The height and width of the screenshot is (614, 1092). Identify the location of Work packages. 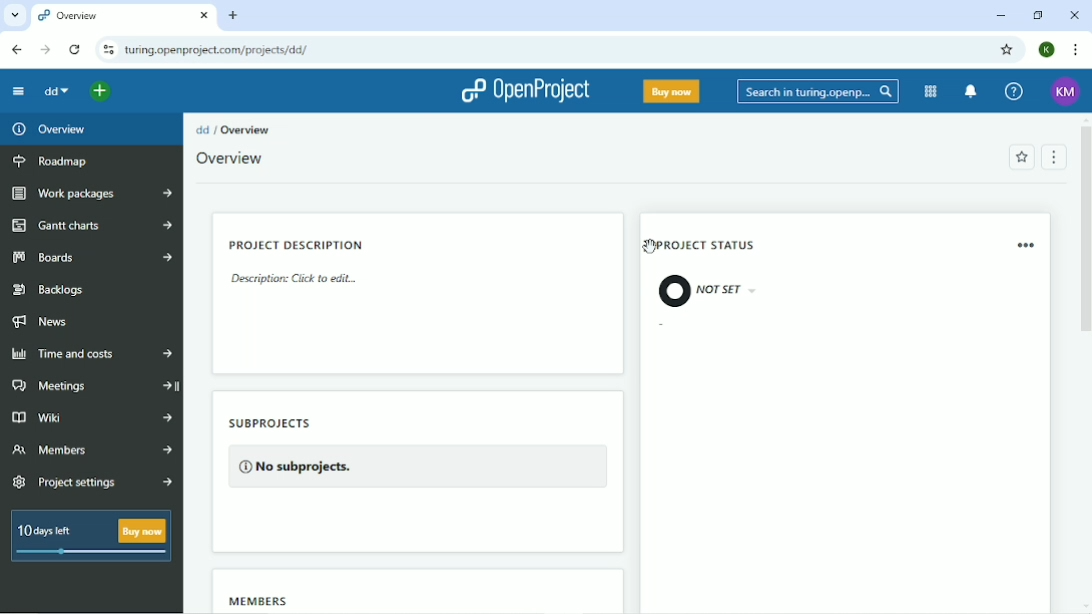
(93, 193).